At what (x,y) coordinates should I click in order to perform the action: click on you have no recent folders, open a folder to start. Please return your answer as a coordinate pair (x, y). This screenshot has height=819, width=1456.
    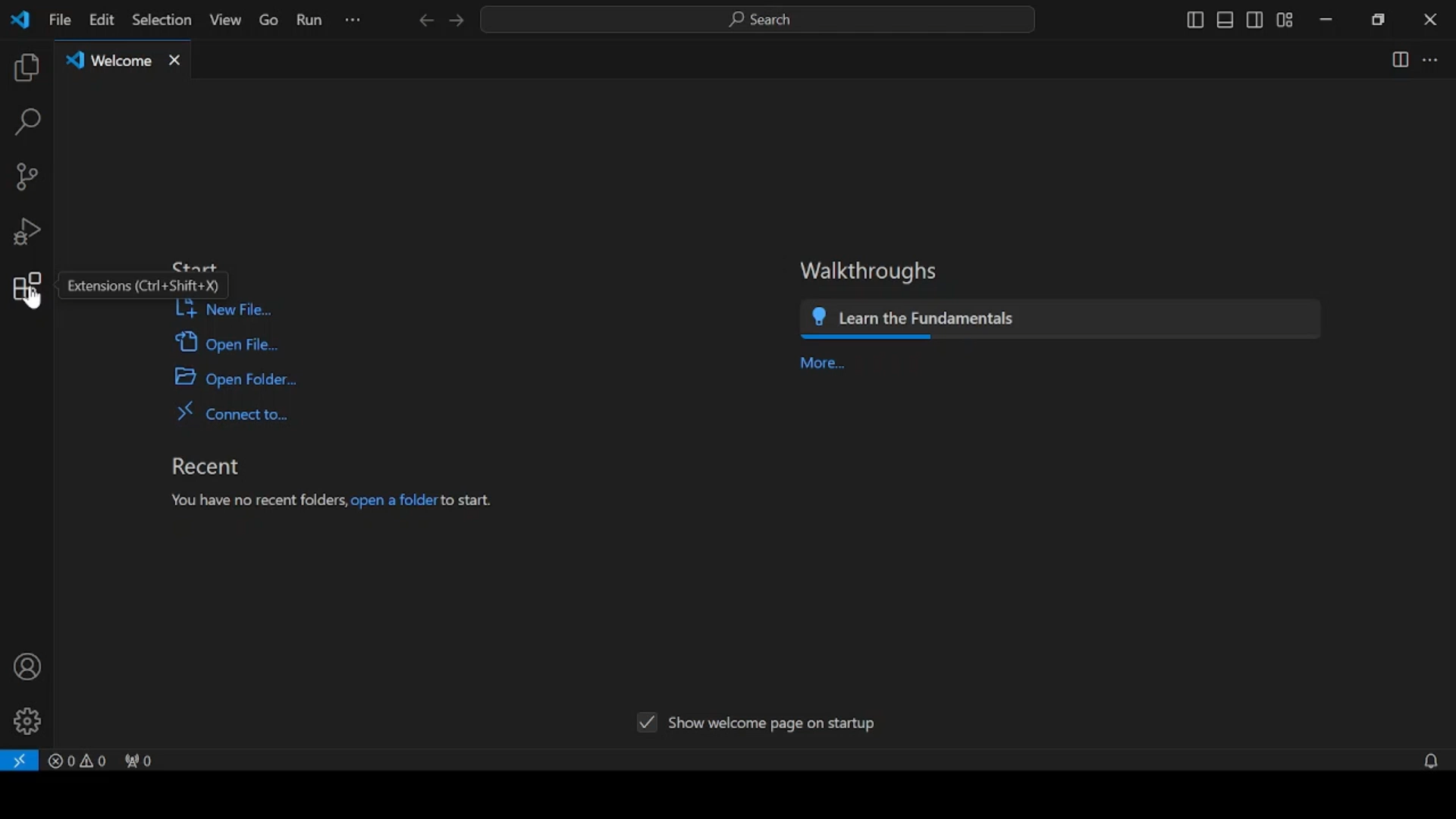
    Looking at the image, I should click on (328, 502).